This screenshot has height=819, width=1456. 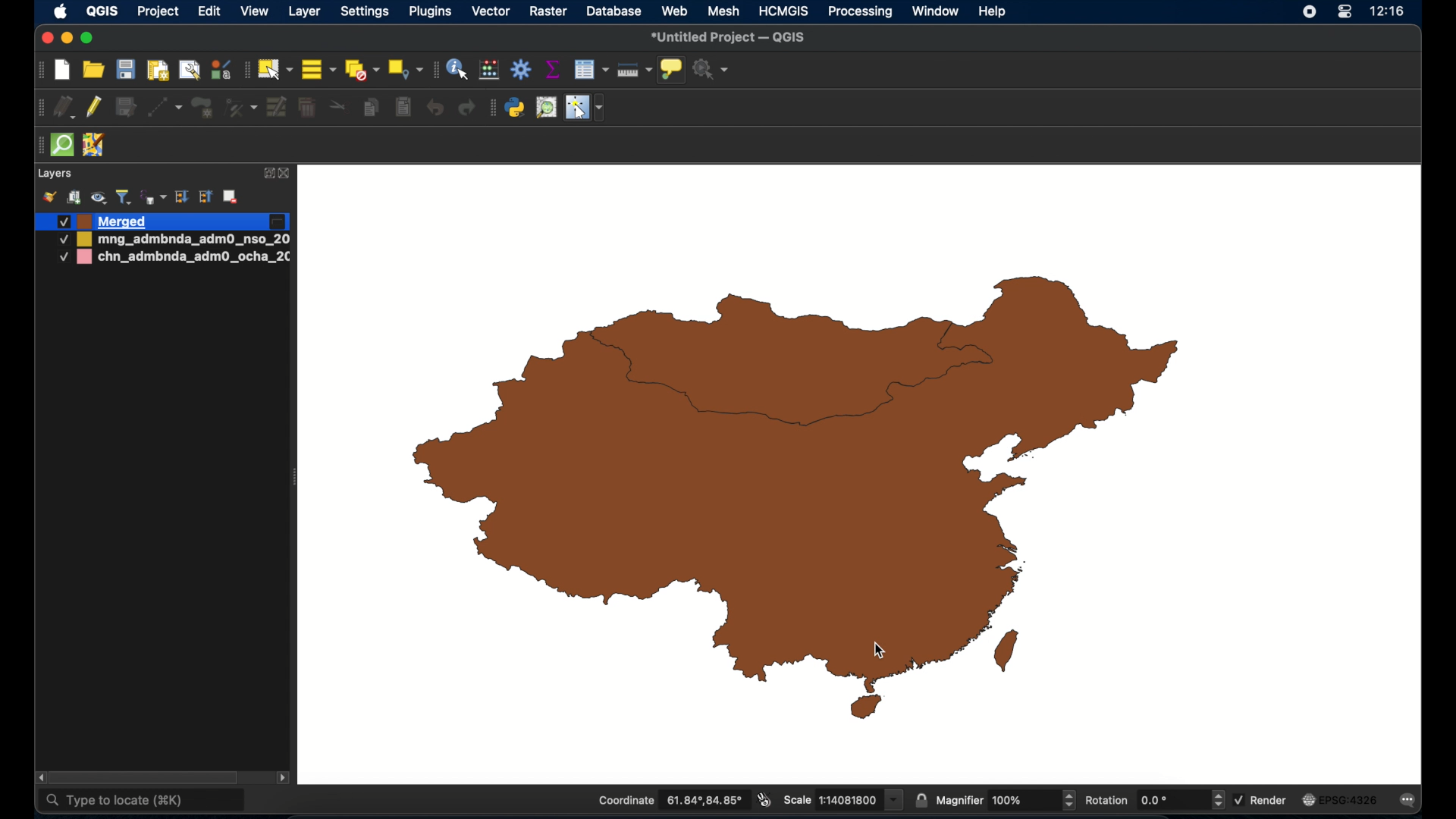 I want to click on measure line, so click(x=634, y=71).